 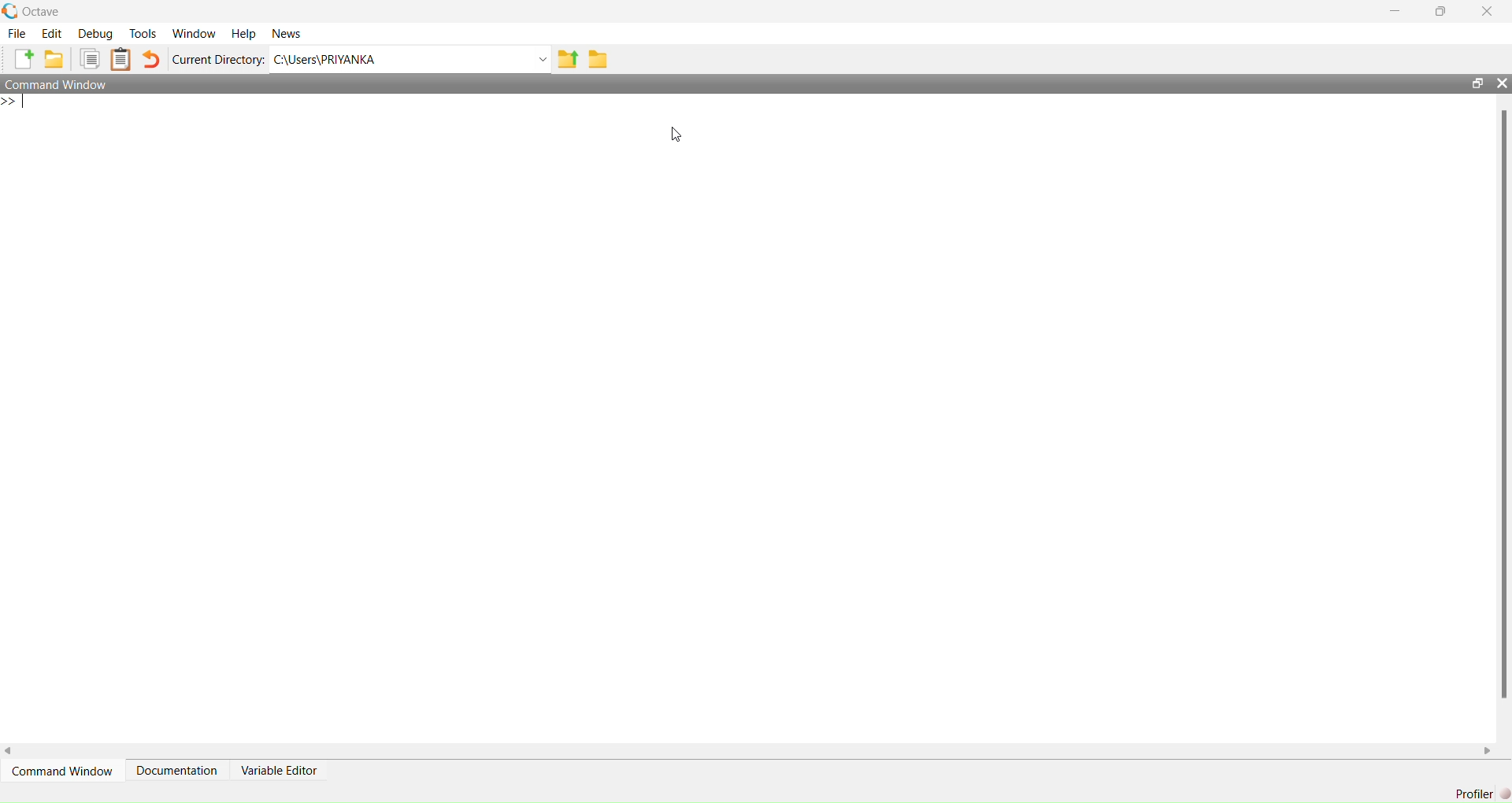 What do you see at coordinates (1478, 83) in the screenshot?
I see `open in separate window` at bounding box center [1478, 83].